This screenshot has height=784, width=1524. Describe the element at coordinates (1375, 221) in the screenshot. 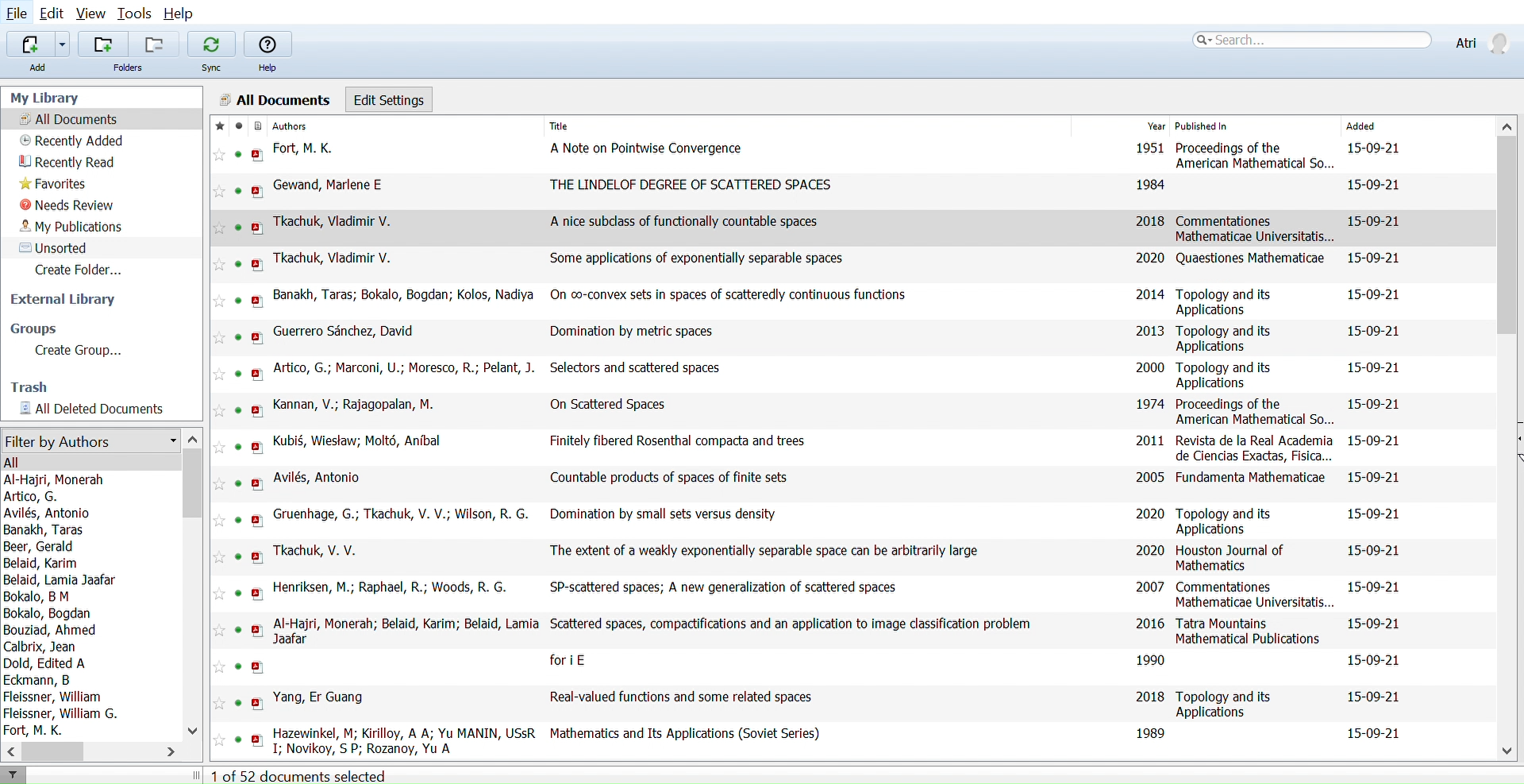

I see `15-09-21` at that location.